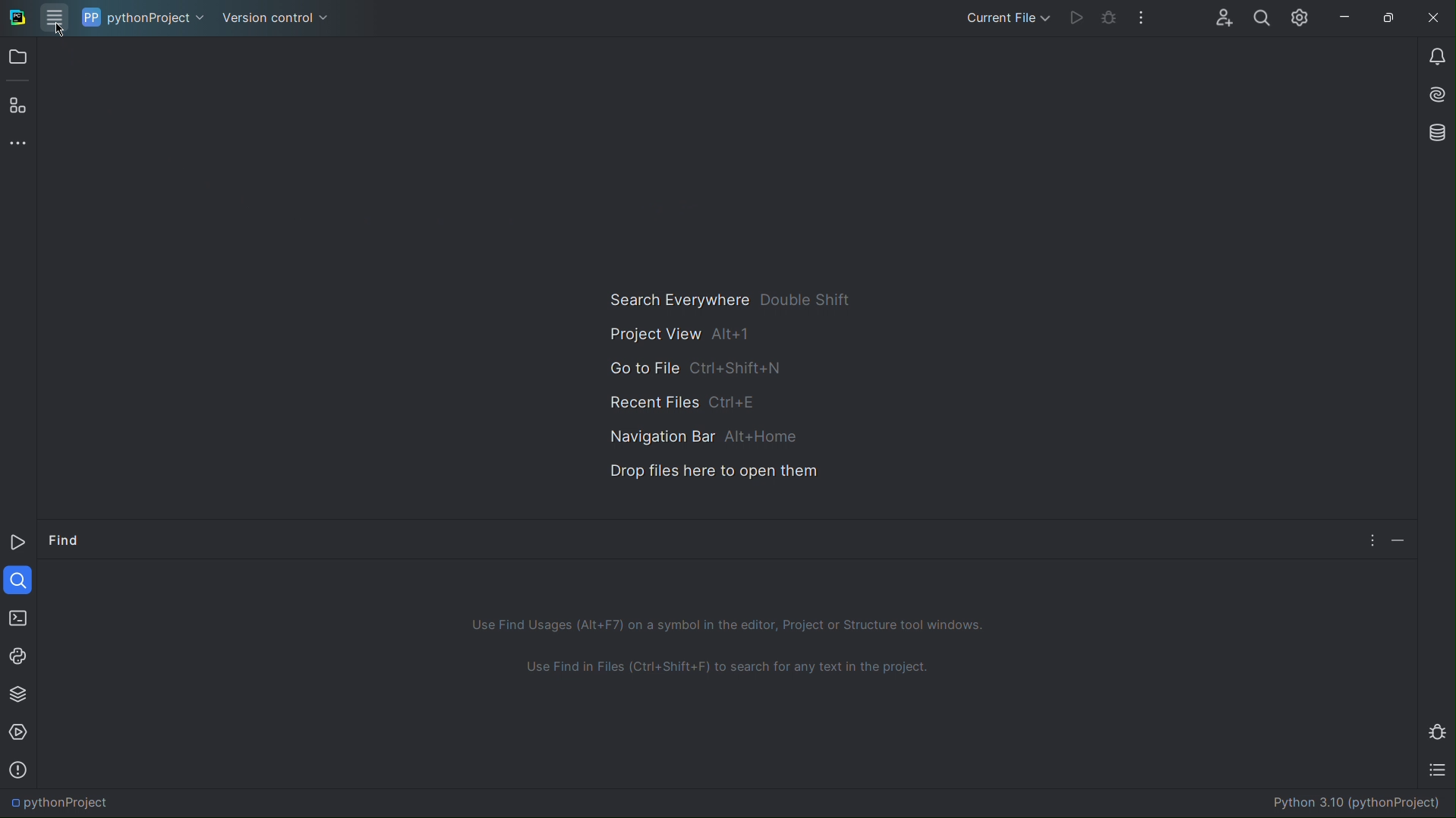  Describe the element at coordinates (20, 733) in the screenshot. I see `Services` at that location.